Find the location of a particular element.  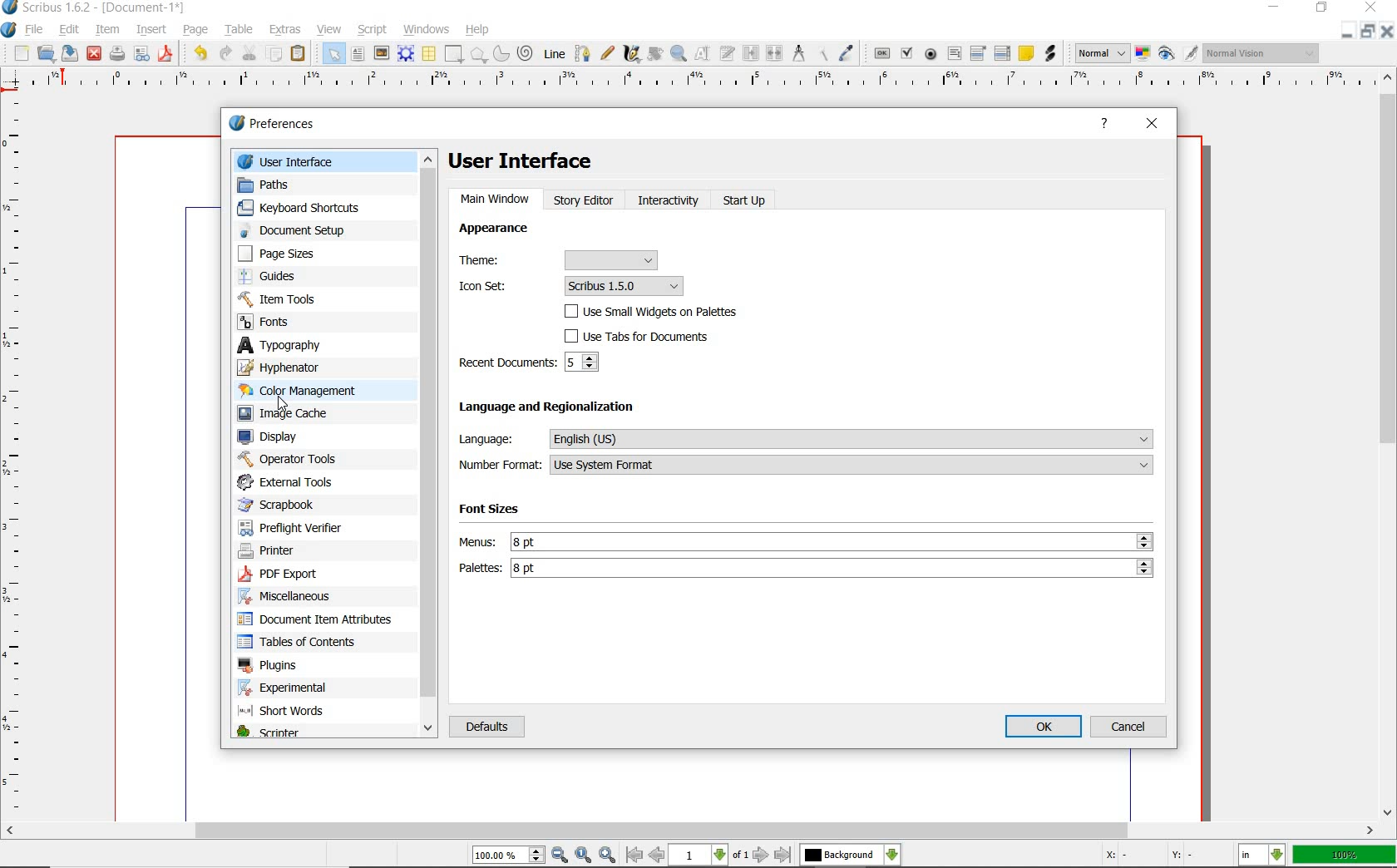

view is located at coordinates (330, 28).